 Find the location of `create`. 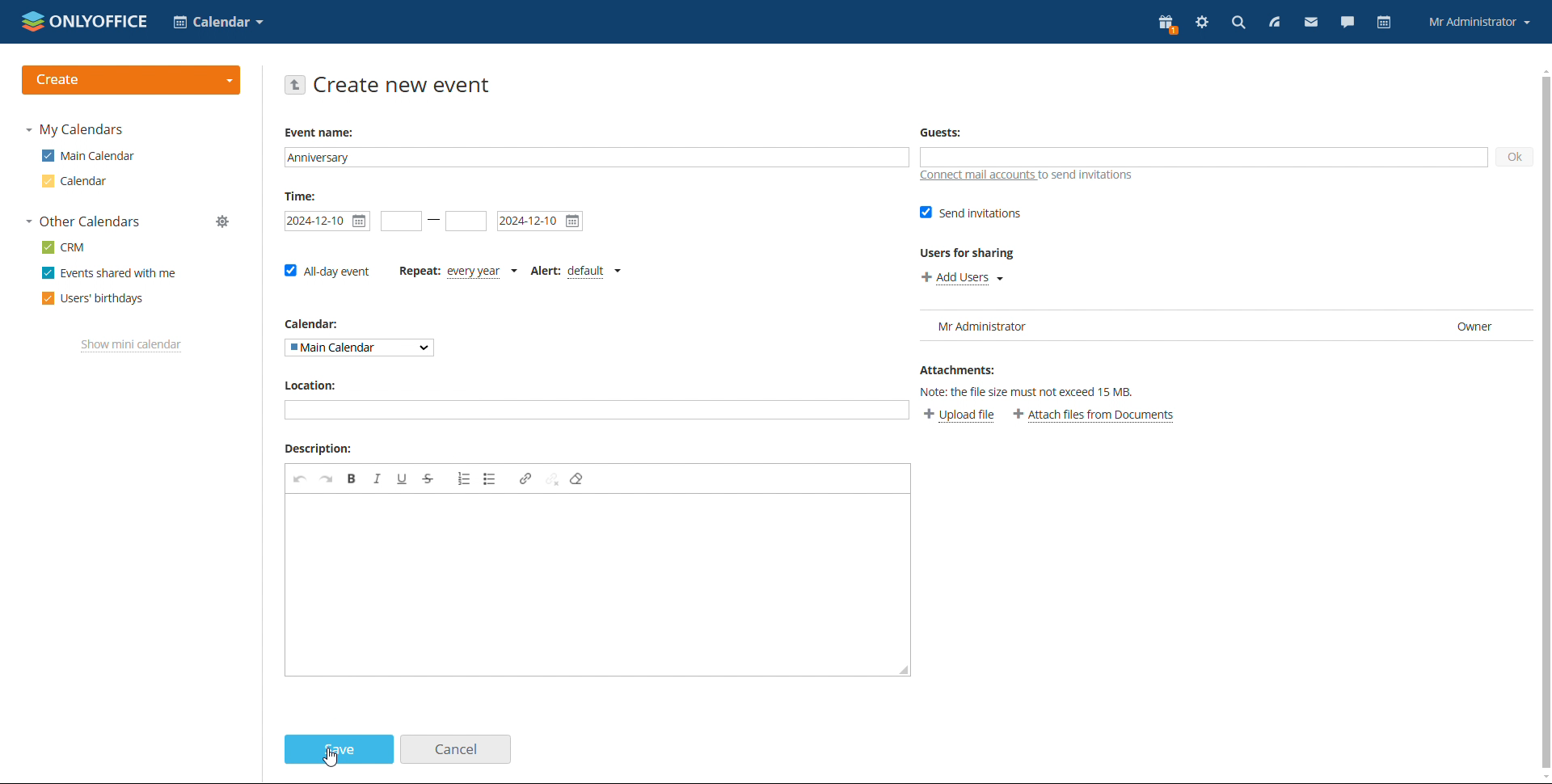

create is located at coordinates (135, 78).